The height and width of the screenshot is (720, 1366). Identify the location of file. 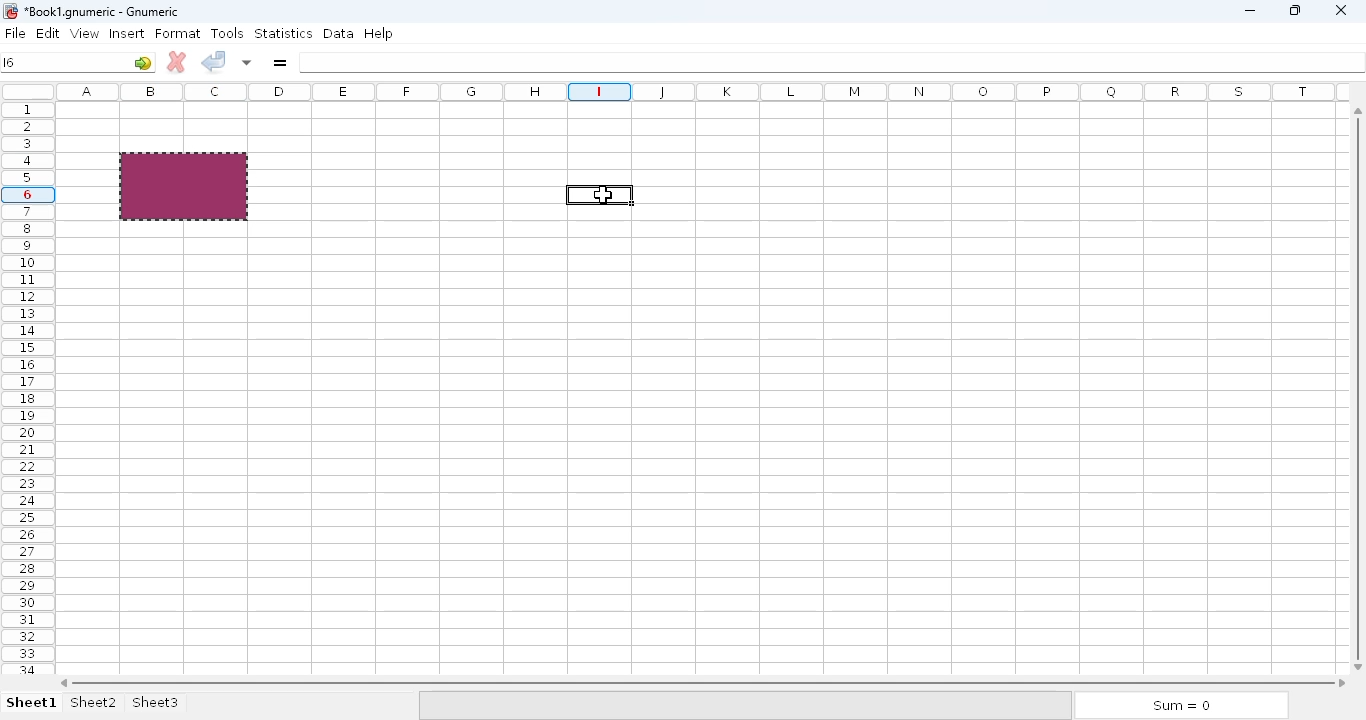
(15, 33).